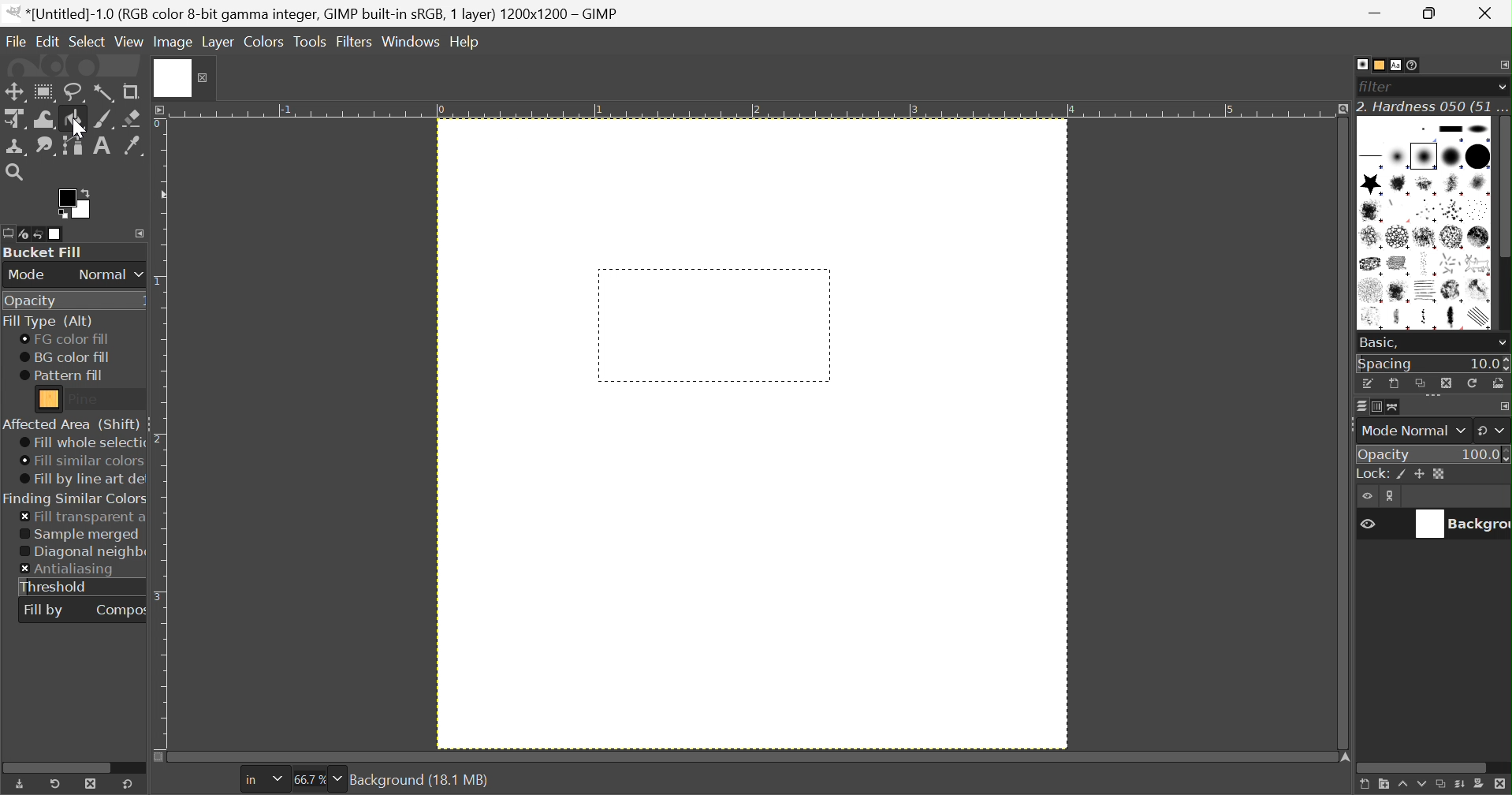 This screenshot has width=1512, height=795. What do you see at coordinates (1376, 65) in the screenshot?
I see `Patterns` at bounding box center [1376, 65].